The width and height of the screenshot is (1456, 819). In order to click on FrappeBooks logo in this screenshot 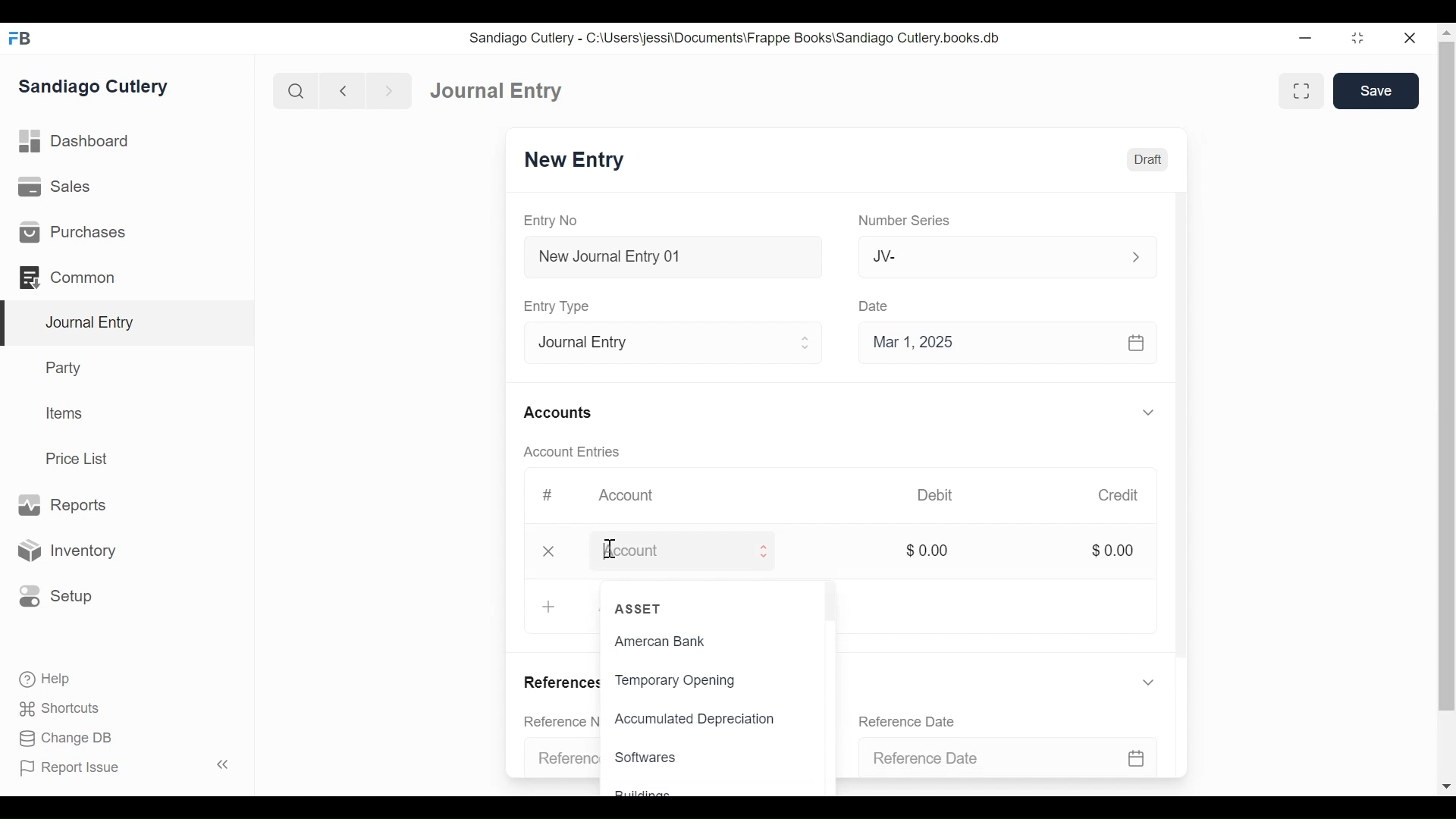, I will do `click(19, 38)`.